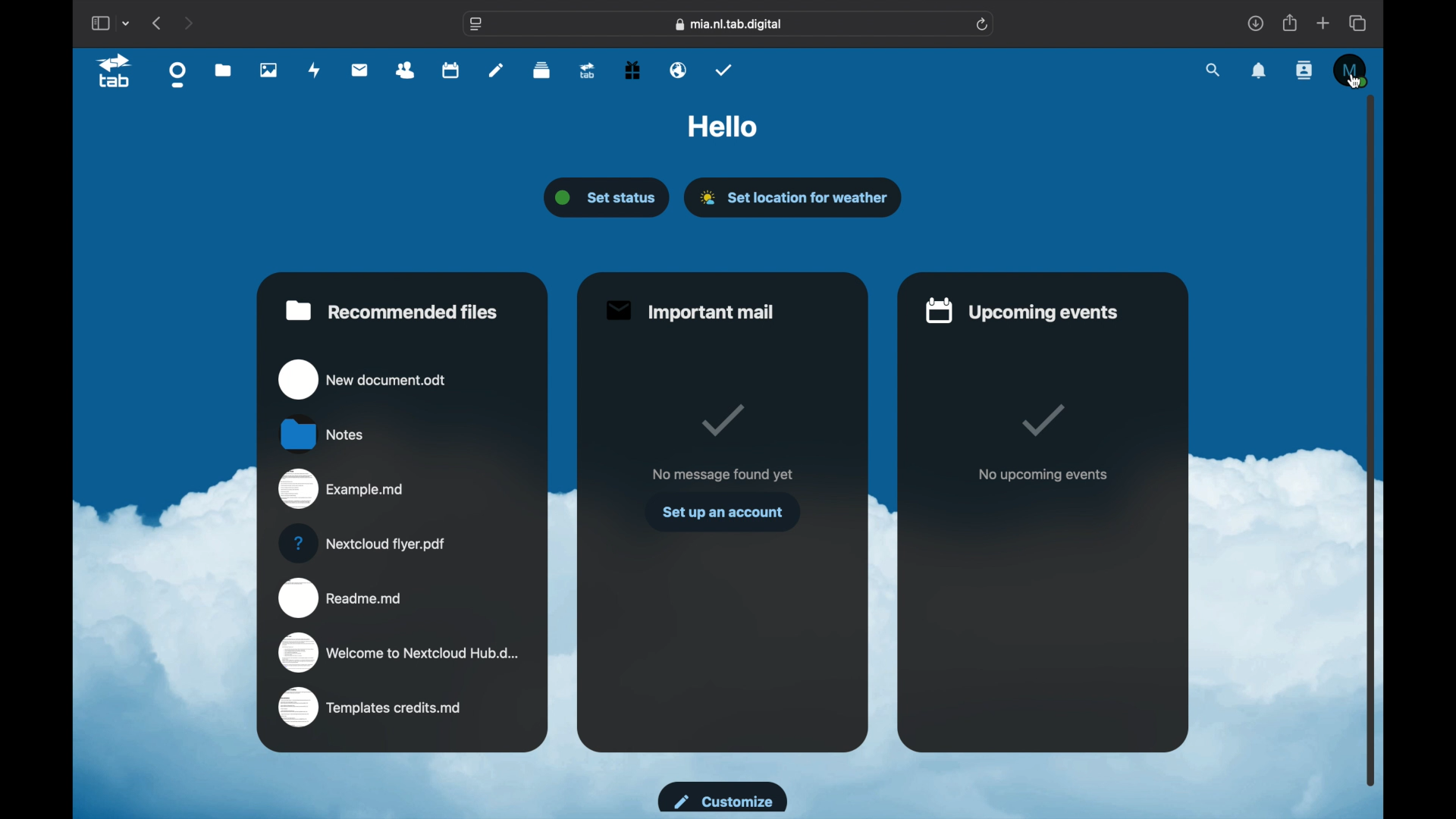 The image size is (1456, 819). Describe the element at coordinates (1019, 309) in the screenshot. I see `upcoming events` at that location.